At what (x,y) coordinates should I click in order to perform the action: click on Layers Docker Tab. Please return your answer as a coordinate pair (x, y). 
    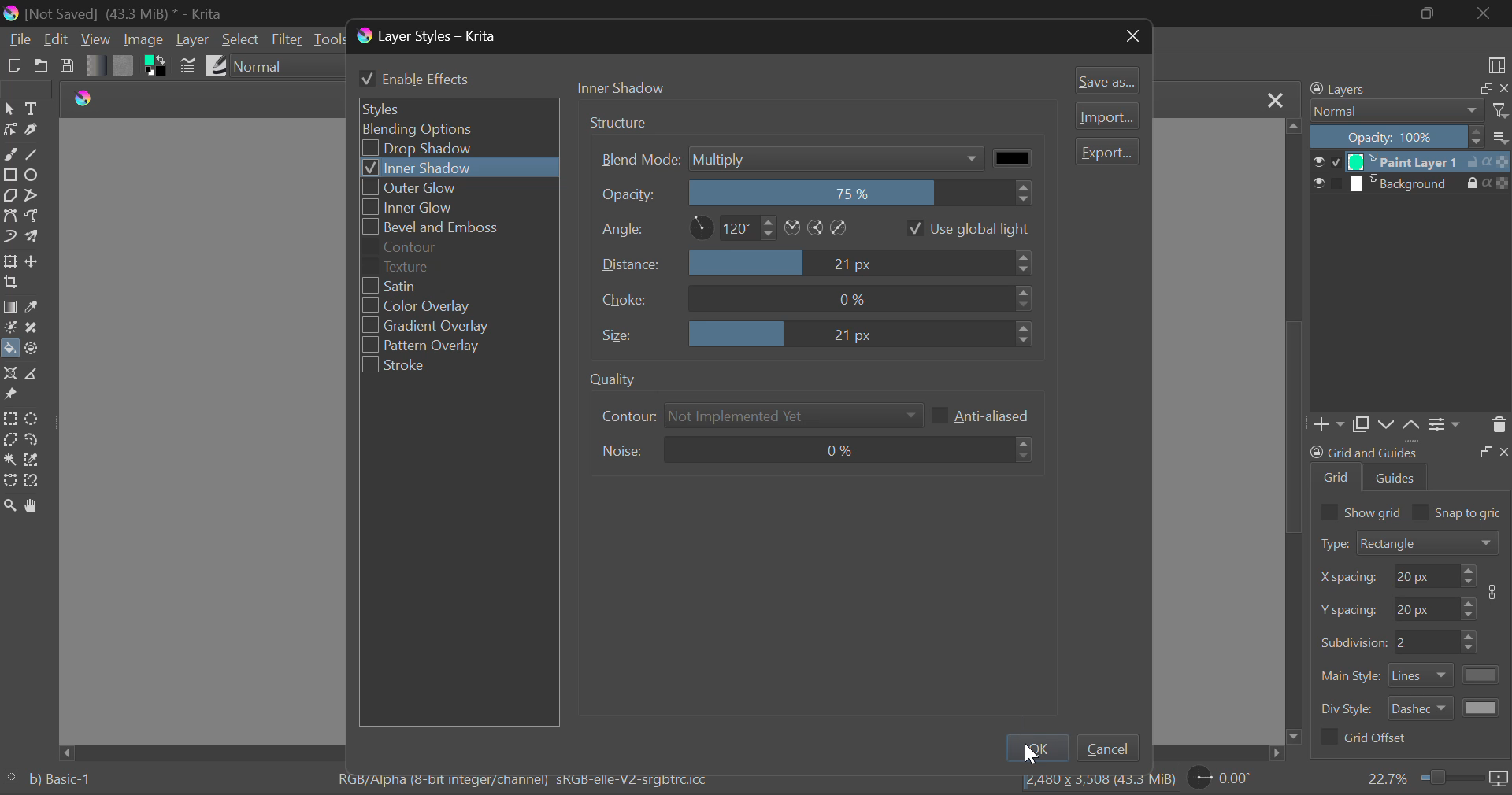
    Looking at the image, I should click on (1405, 91).